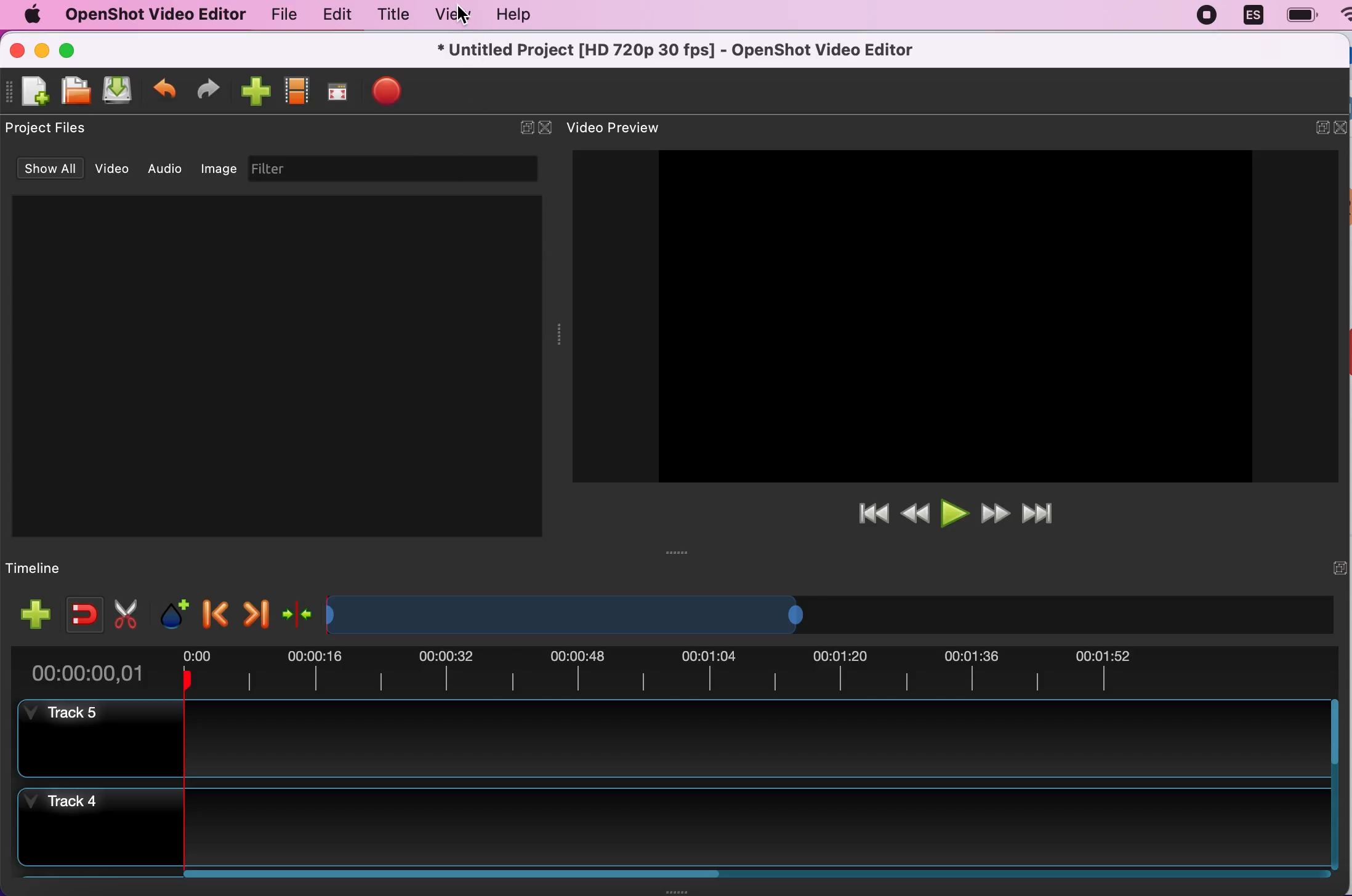 This screenshot has height=896, width=1352. Describe the element at coordinates (332, 14) in the screenshot. I see `edit` at that location.